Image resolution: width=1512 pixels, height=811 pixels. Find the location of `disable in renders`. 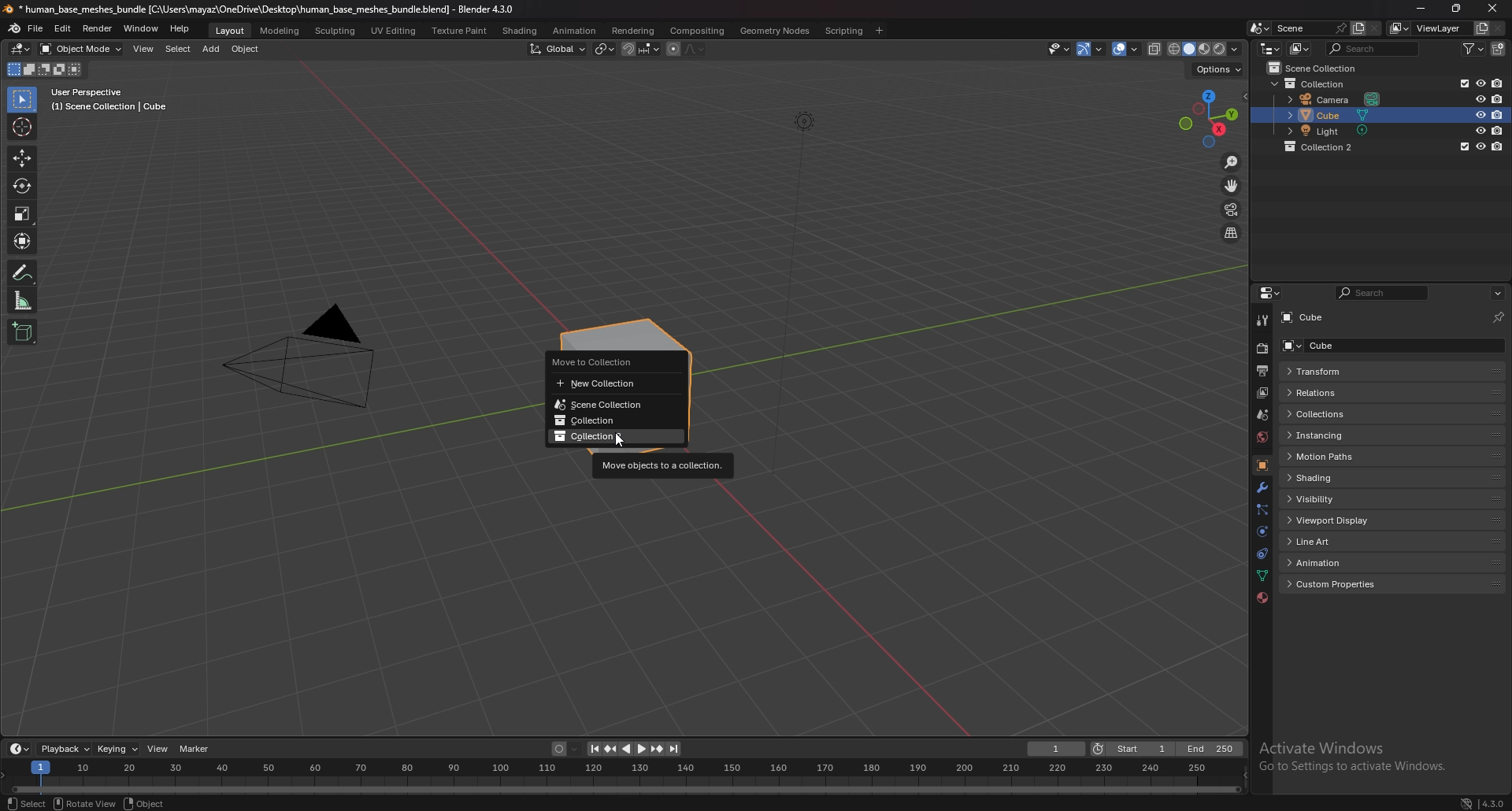

disable in renders is located at coordinates (1498, 146).